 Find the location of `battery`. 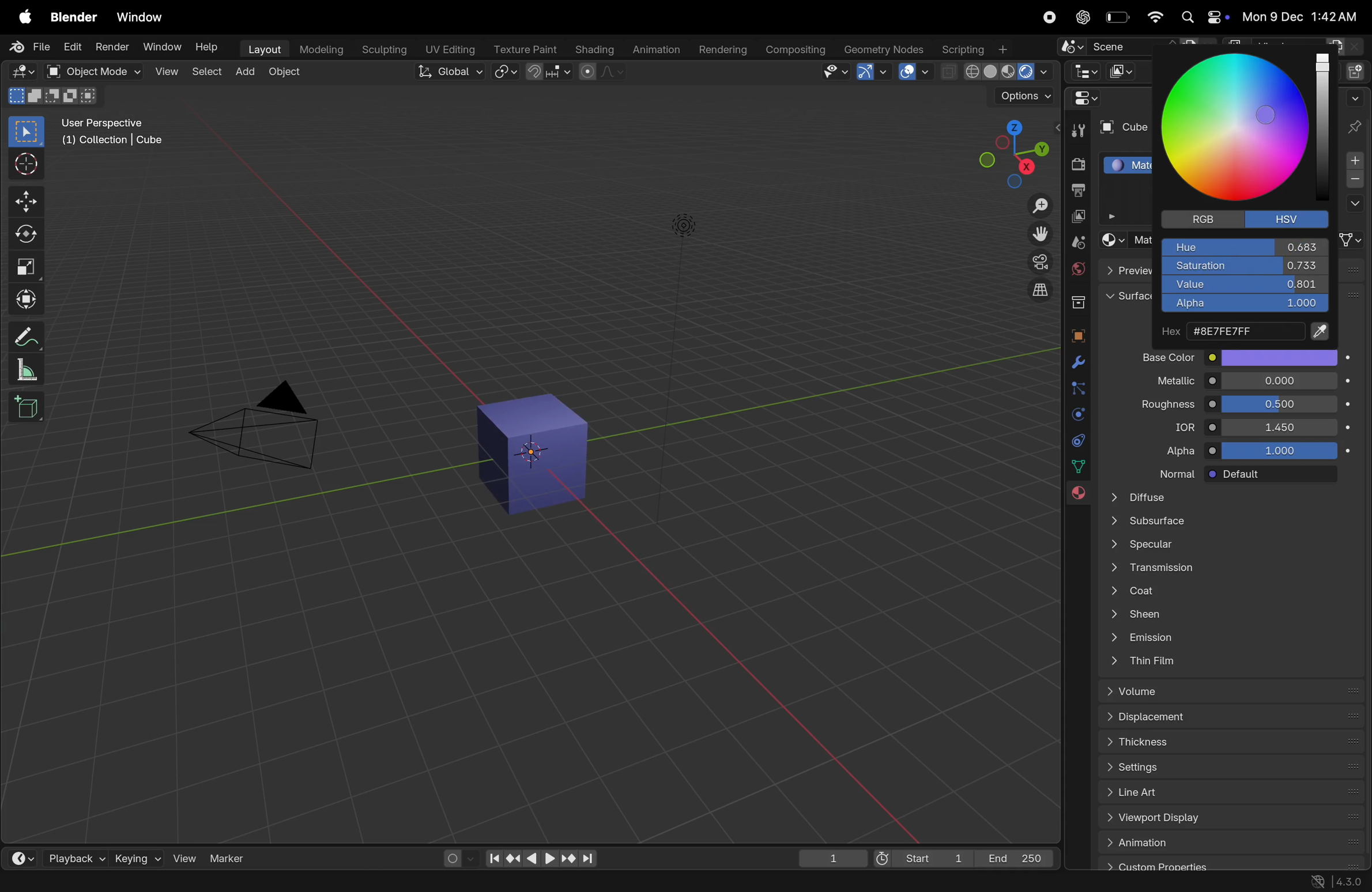

battery is located at coordinates (1116, 17).